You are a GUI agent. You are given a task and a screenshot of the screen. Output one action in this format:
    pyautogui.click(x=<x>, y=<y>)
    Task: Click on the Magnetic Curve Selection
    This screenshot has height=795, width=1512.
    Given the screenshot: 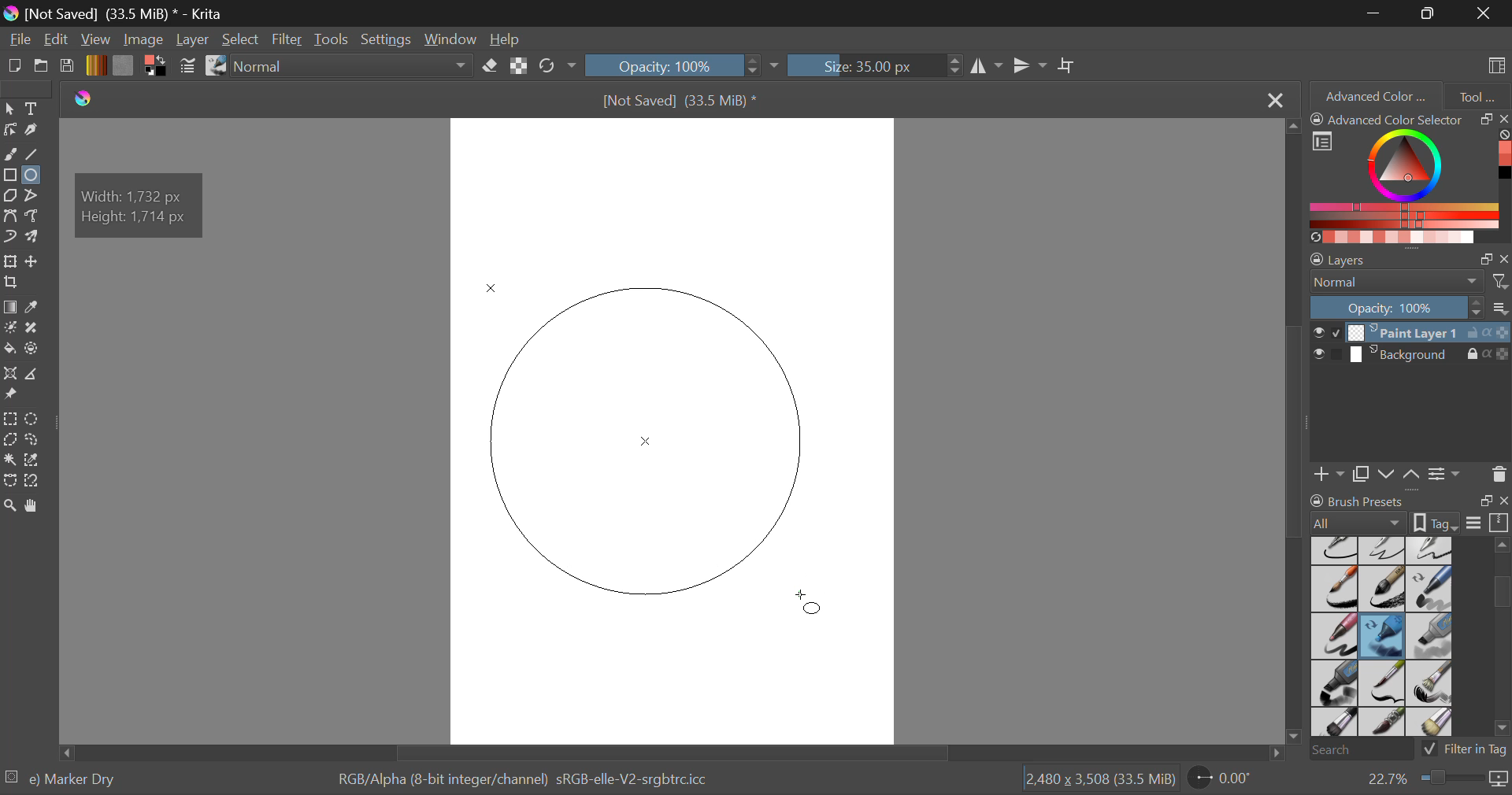 What is the action you would take?
    pyautogui.click(x=38, y=481)
    